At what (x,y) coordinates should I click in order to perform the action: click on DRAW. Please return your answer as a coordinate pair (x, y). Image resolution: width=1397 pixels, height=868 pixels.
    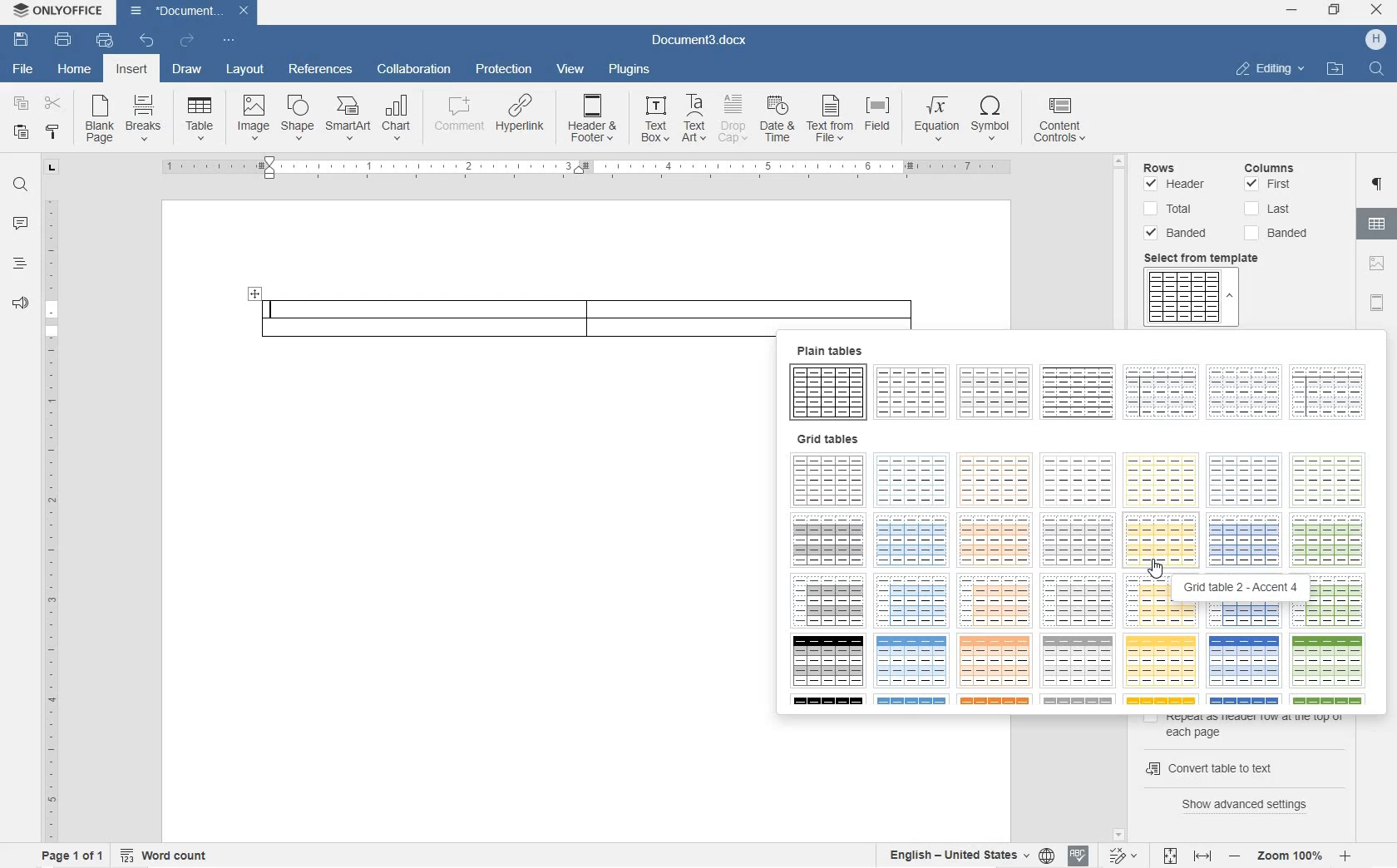
    Looking at the image, I should click on (185, 72).